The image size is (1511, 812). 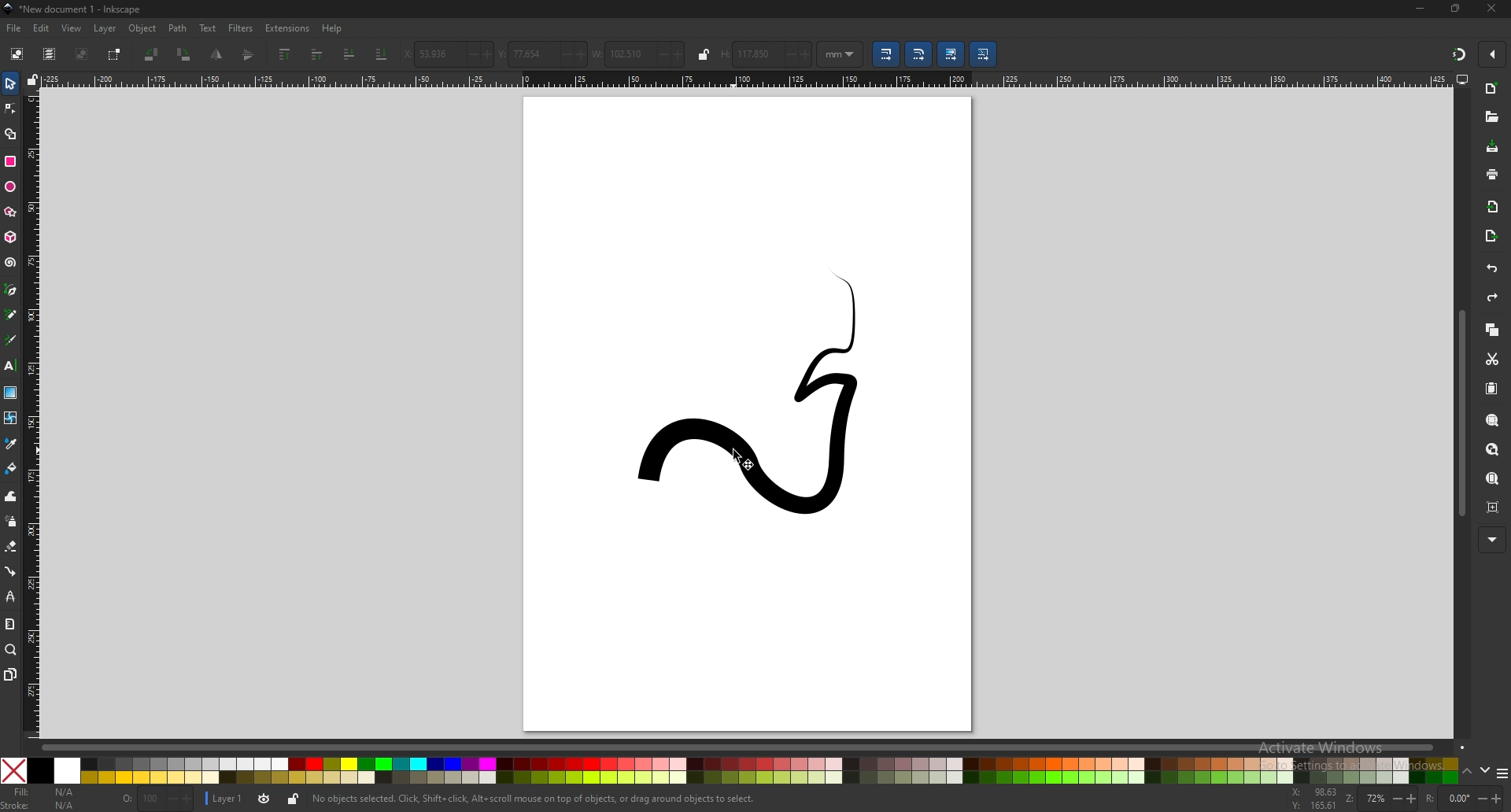 I want to click on rotation, so click(x=1463, y=799).